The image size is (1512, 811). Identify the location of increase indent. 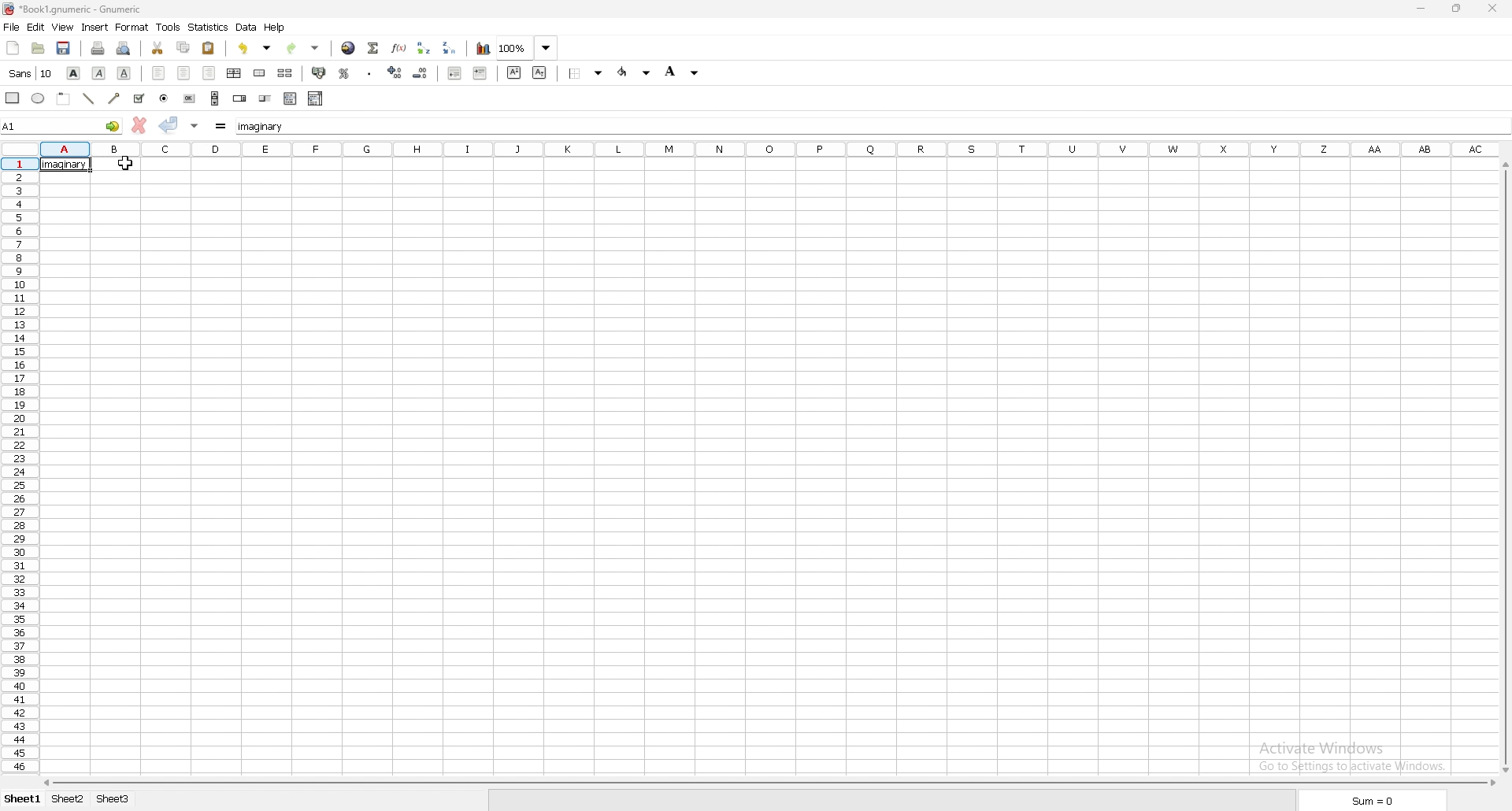
(481, 74).